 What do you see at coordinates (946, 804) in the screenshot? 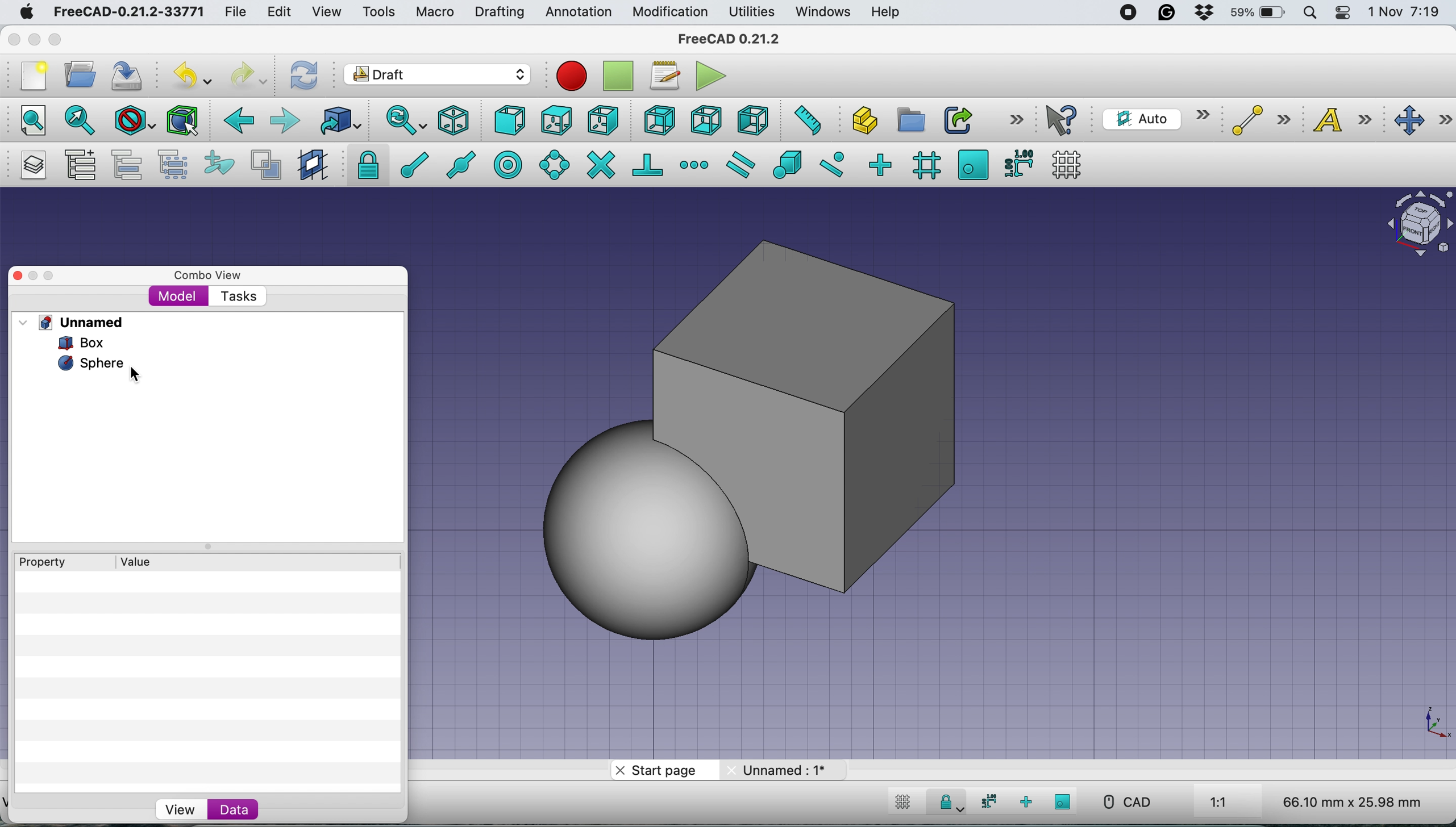
I see `snap lock` at bounding box center [946, 804].